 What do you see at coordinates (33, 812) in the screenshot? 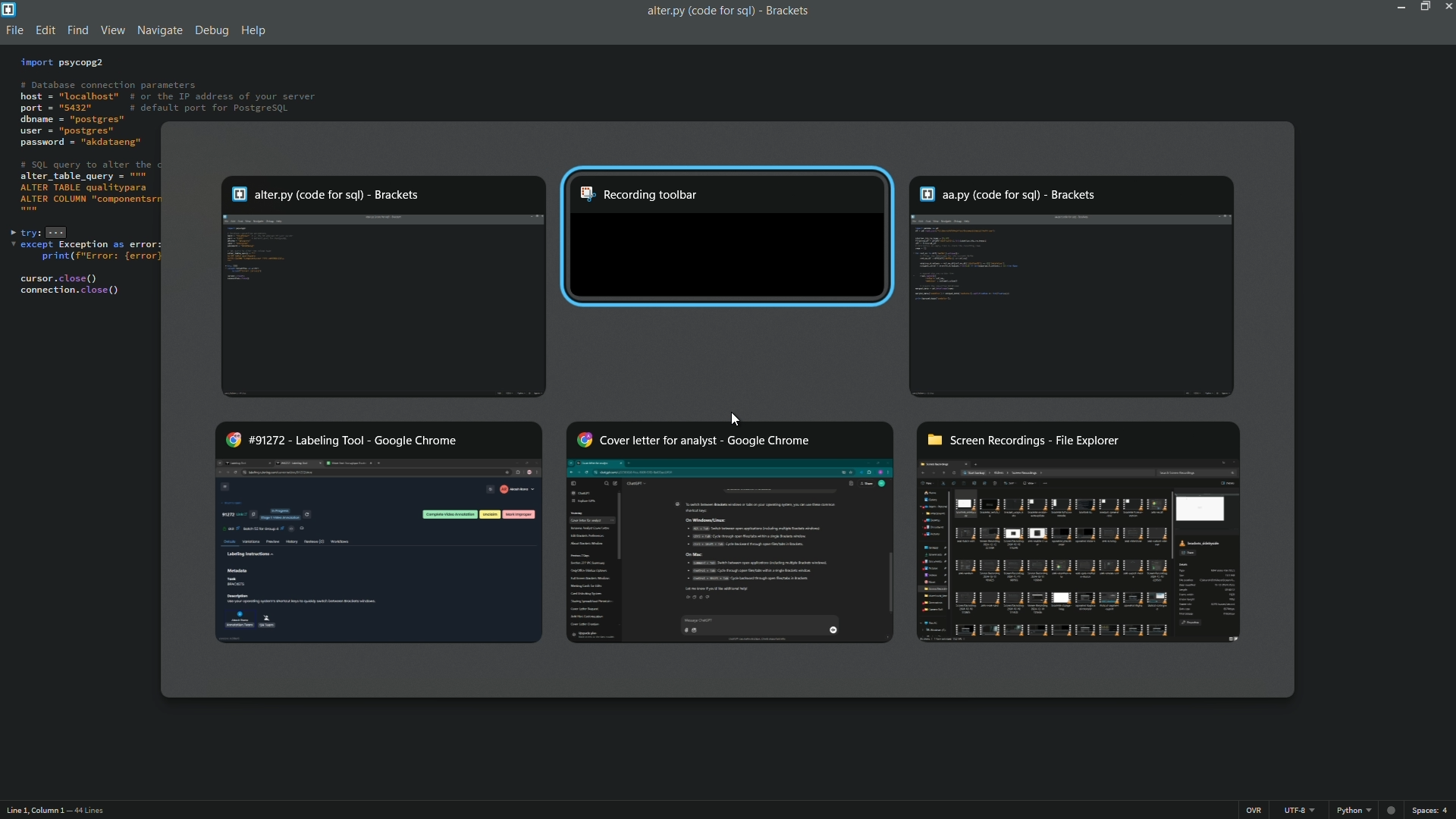
I see `line 1, column 3` at bounding box center [33, 812].